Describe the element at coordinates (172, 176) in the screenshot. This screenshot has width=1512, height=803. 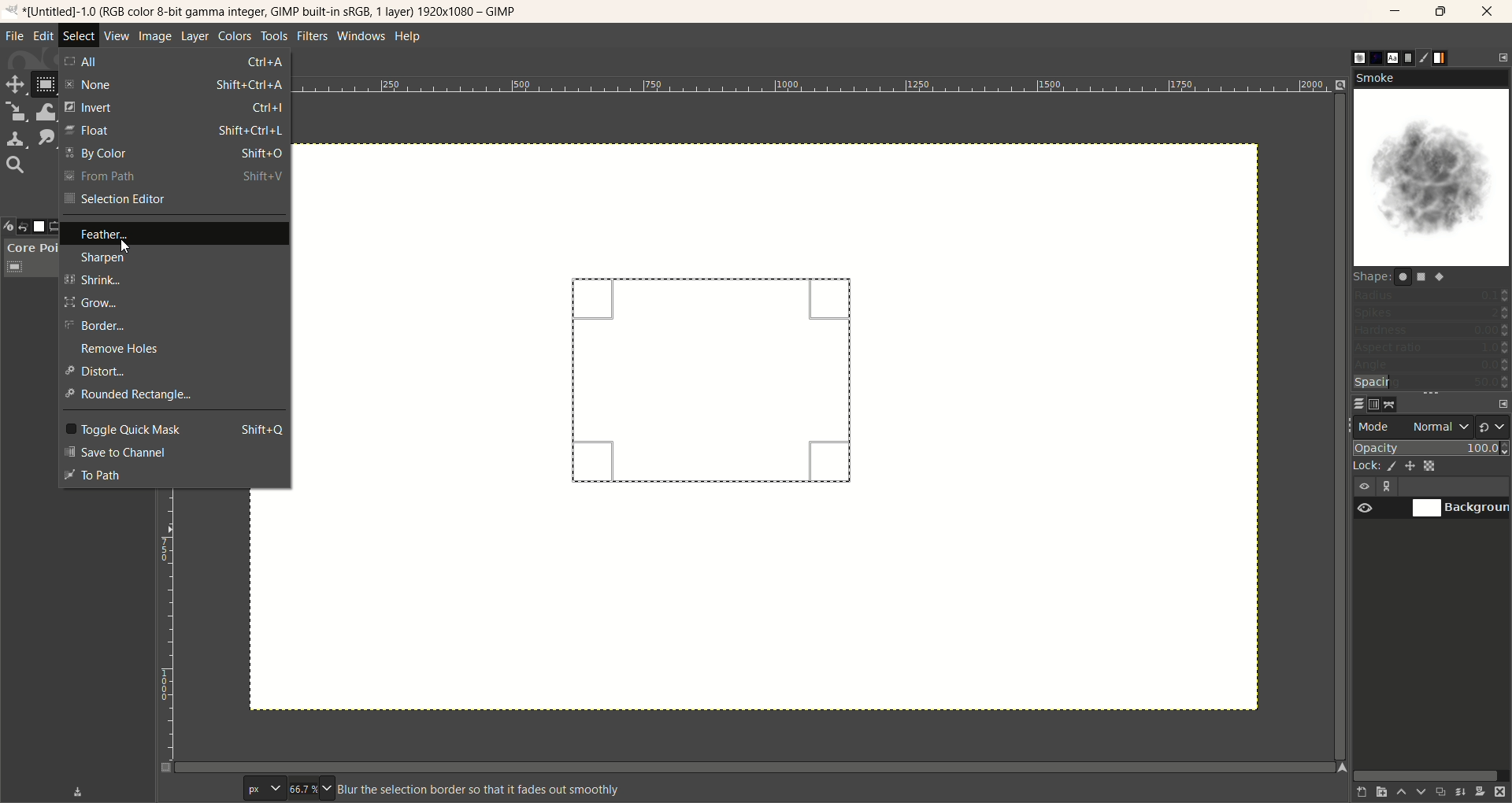
I see `from path` at that location.